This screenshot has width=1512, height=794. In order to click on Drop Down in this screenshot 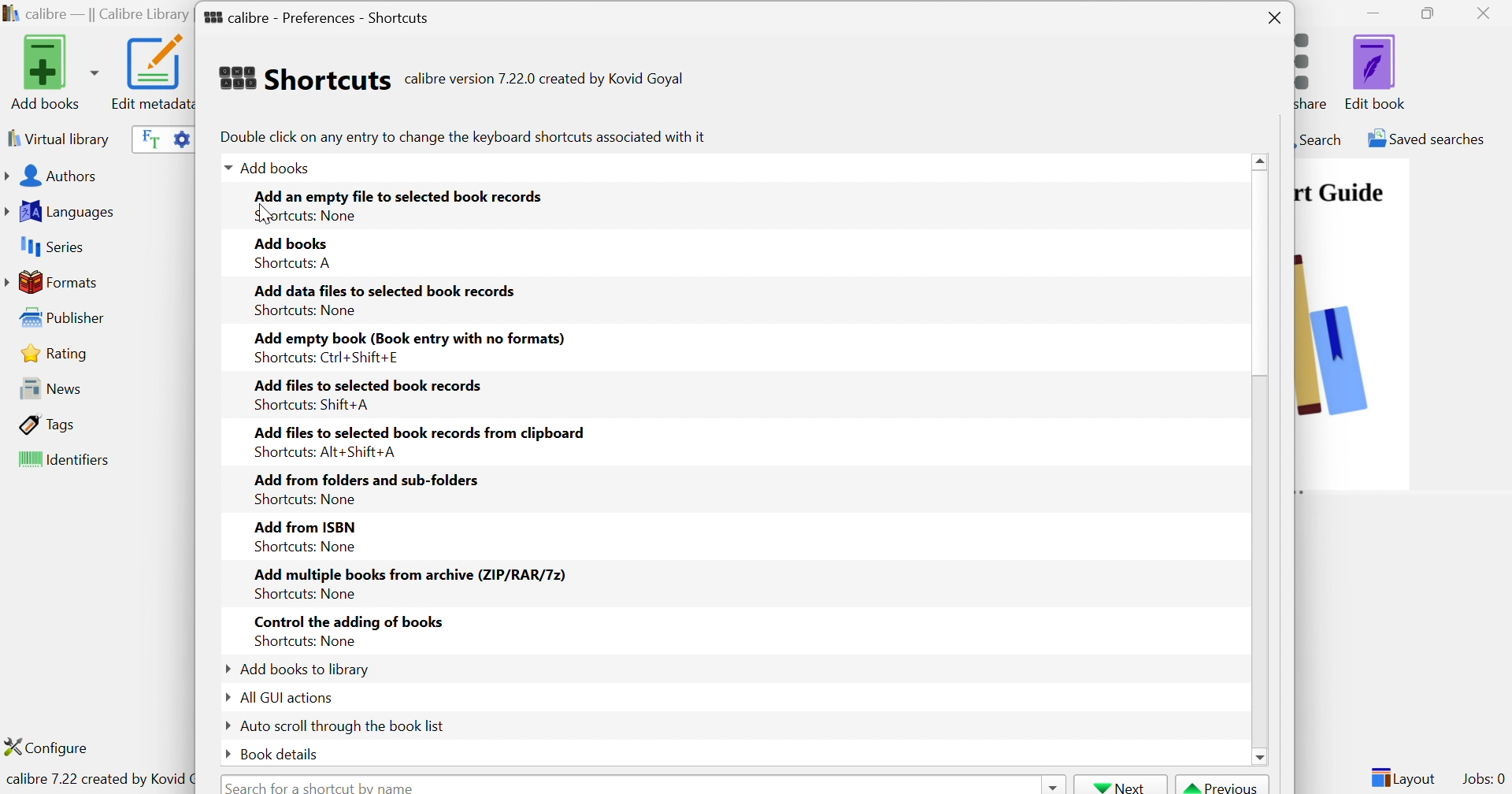, I will do `click(226, 699)`.